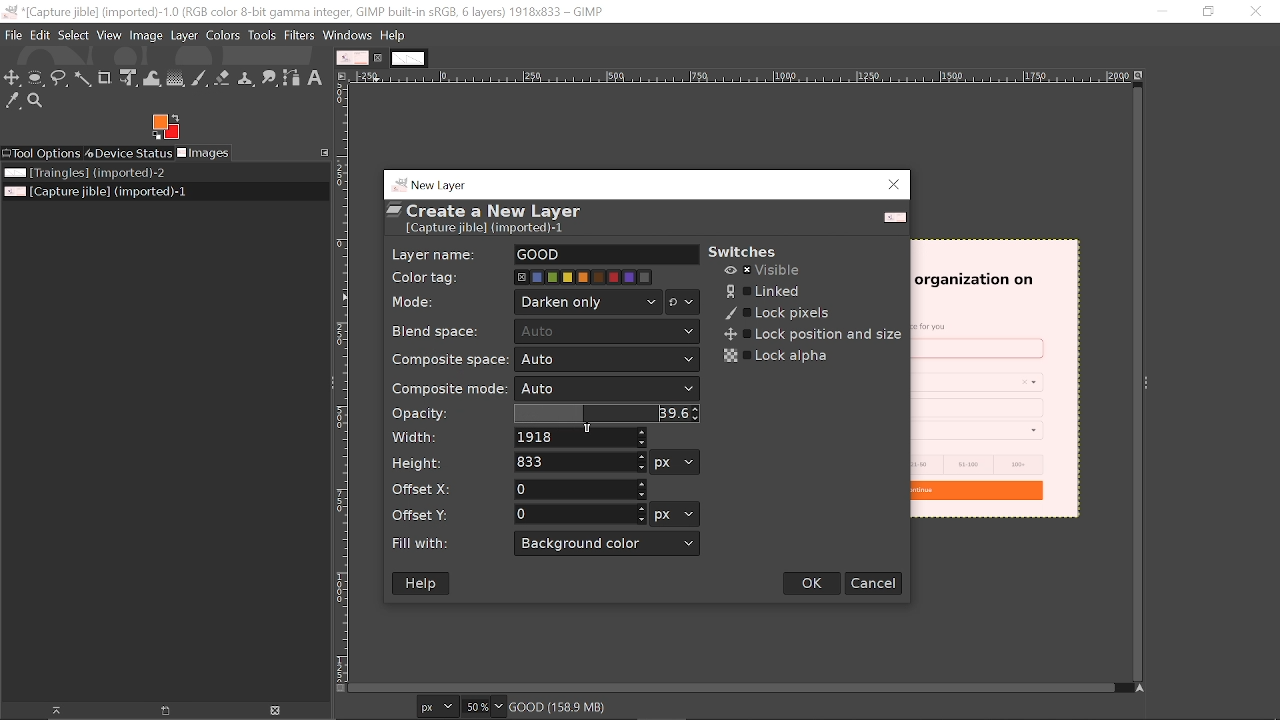  Describe the element at coordinates (683, 304) in the screenshot. I see `Mode options` at that location.